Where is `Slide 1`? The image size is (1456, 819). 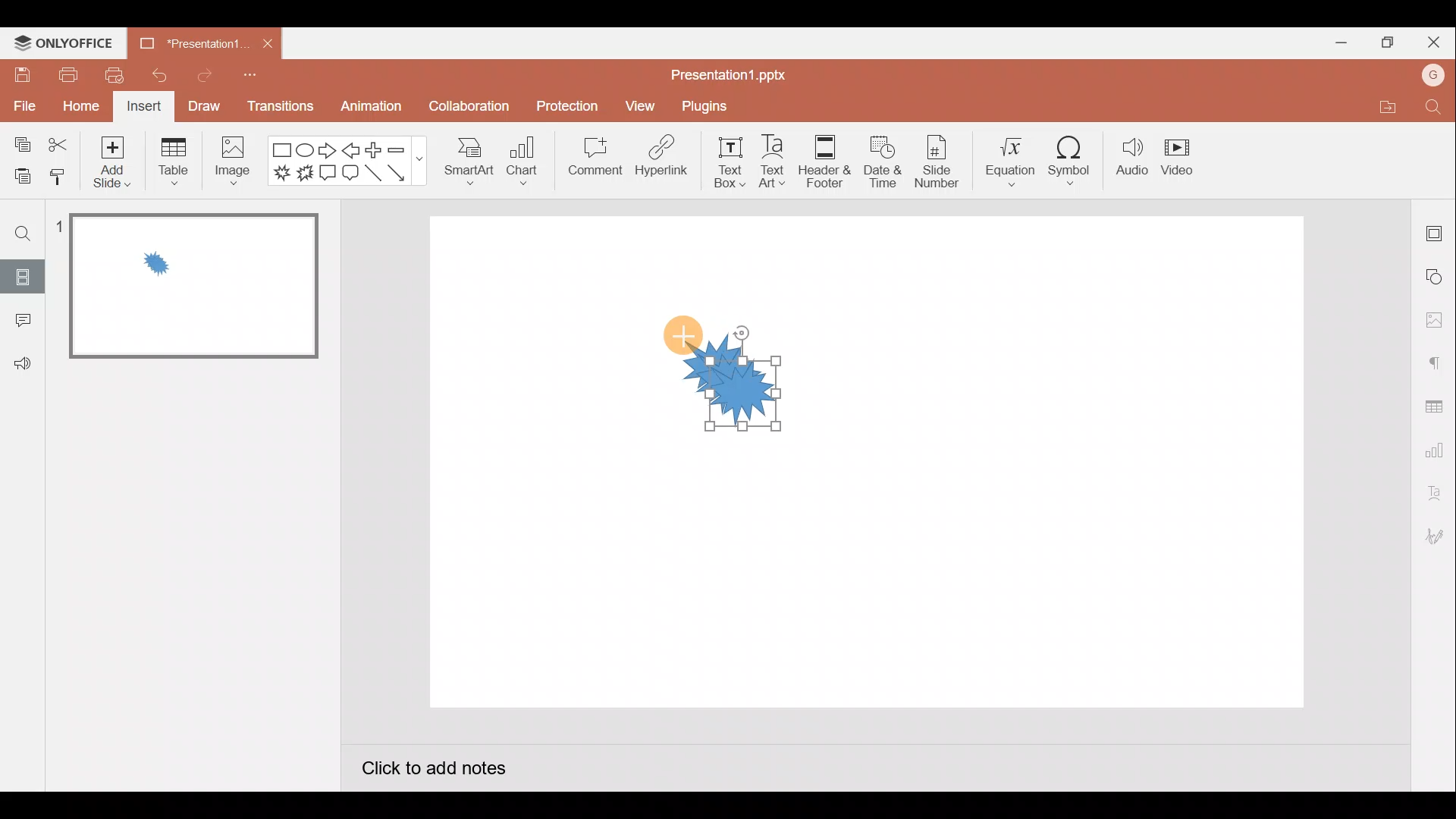 Slide 1 is located at coordinates (184, 287).